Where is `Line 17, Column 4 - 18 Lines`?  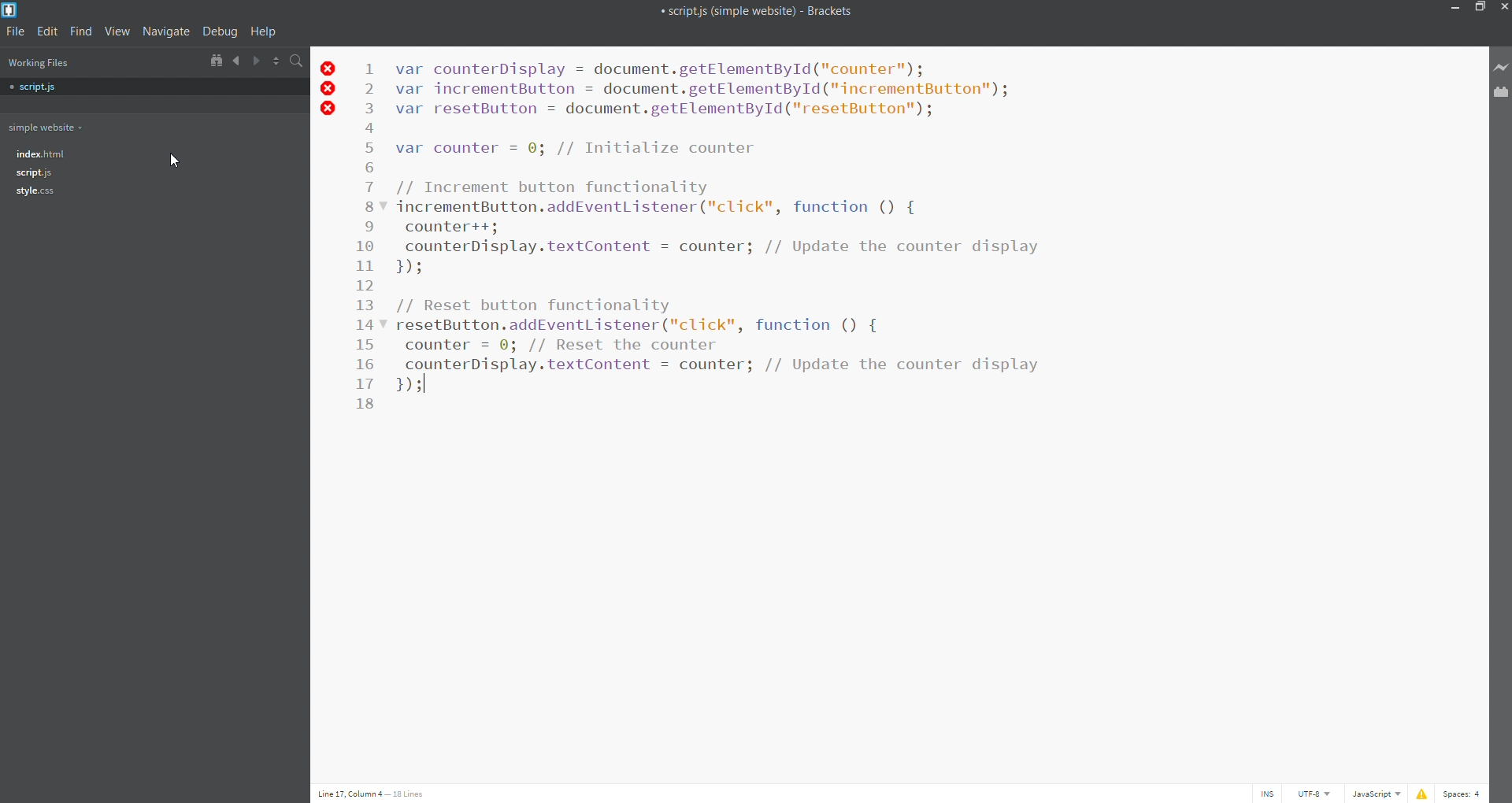 Line 17, Column 4 - 18 Lines is located at coordinates (374, 791).